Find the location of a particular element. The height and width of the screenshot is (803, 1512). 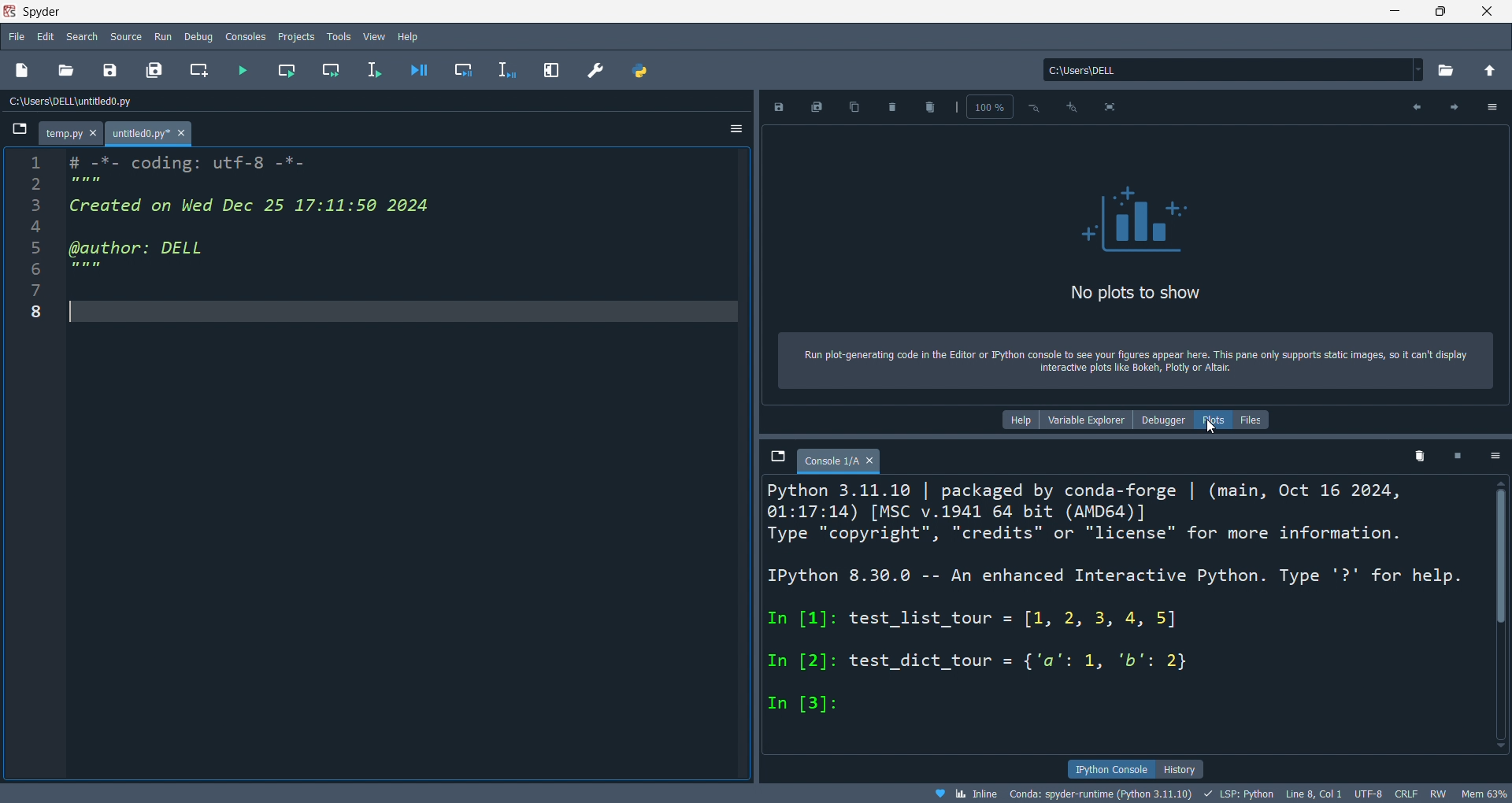

edit is located at coordinates (47, 36).